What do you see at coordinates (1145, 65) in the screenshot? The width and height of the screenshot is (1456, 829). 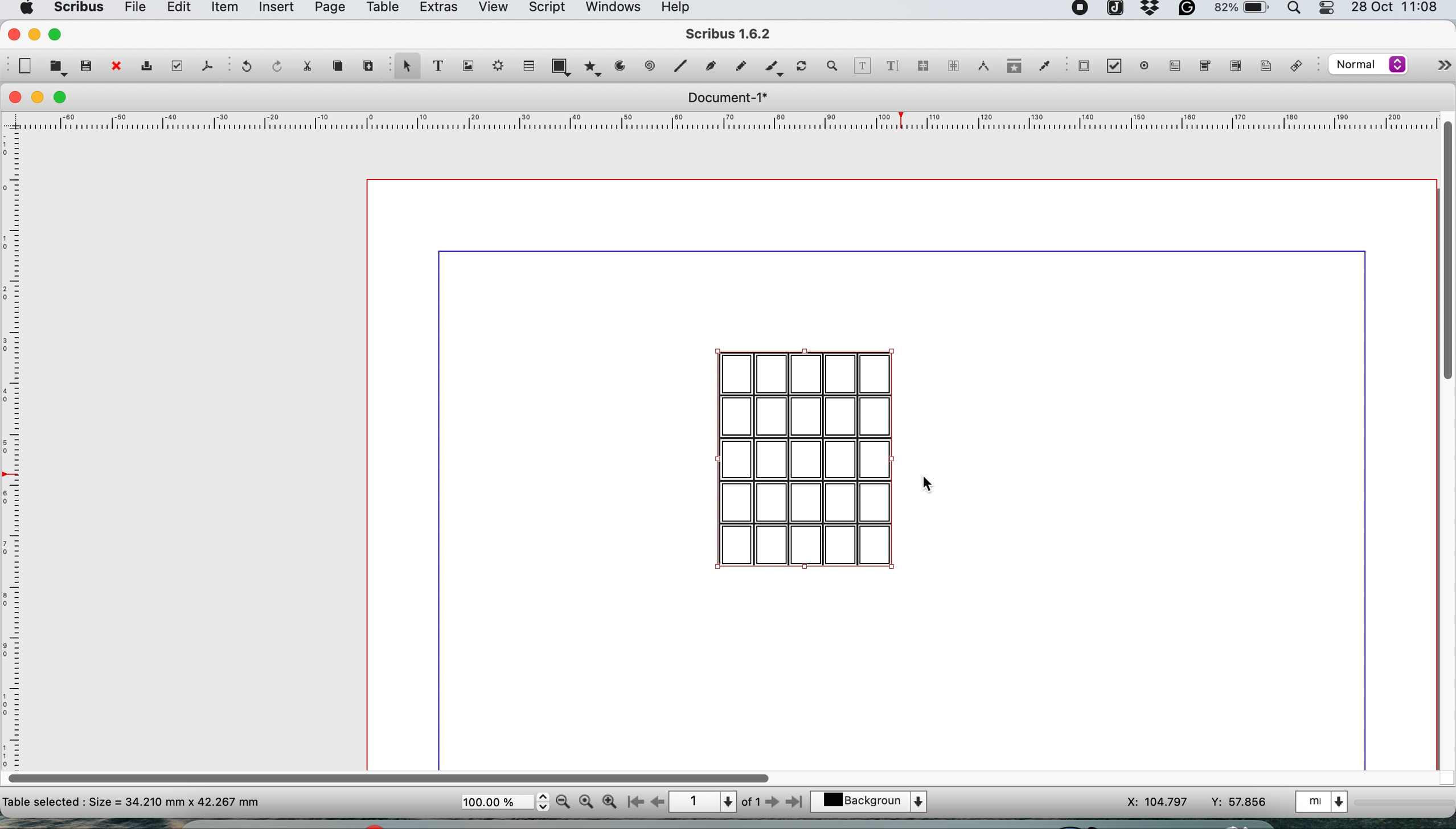 I see `pdf radio button` at bounding box center [1145, 65].